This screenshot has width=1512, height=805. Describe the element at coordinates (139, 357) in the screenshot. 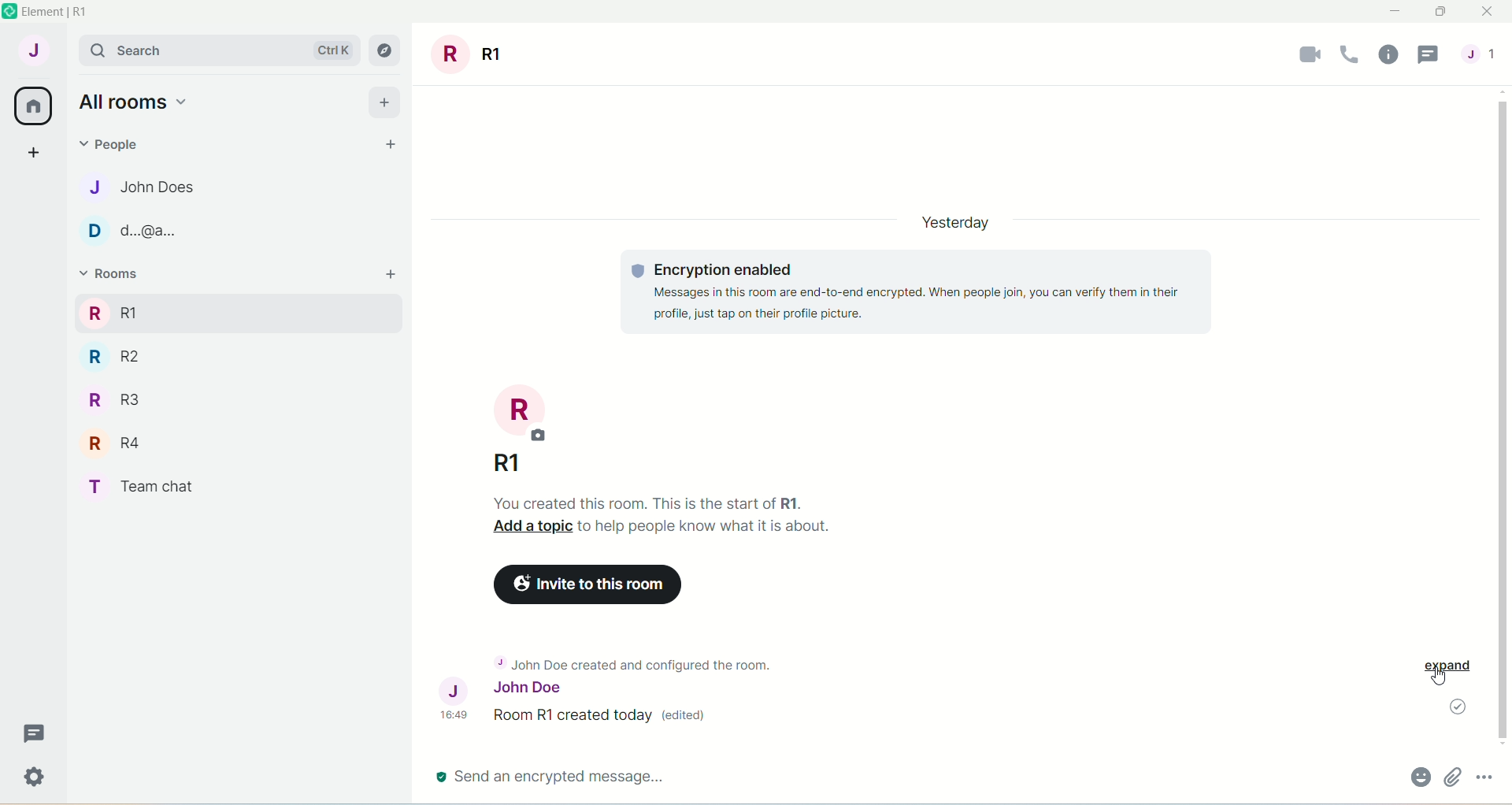

I see `R2` at that location.